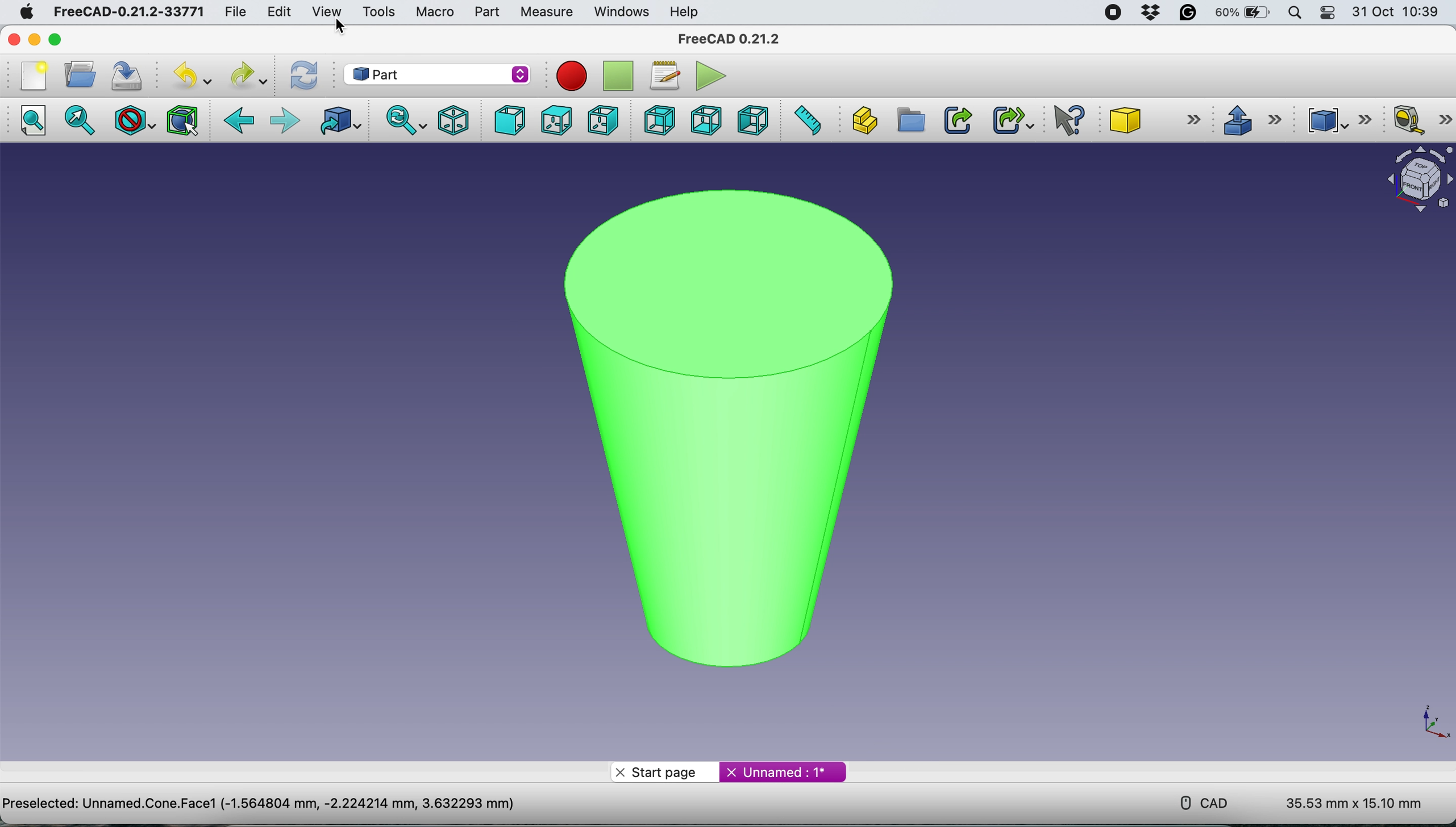 Image resolution: width=1456 pixels, height=827 pixels. What do you see at coordinates (484, 12) in the screenshot?
I see `part` at bounding box center [484, 12].